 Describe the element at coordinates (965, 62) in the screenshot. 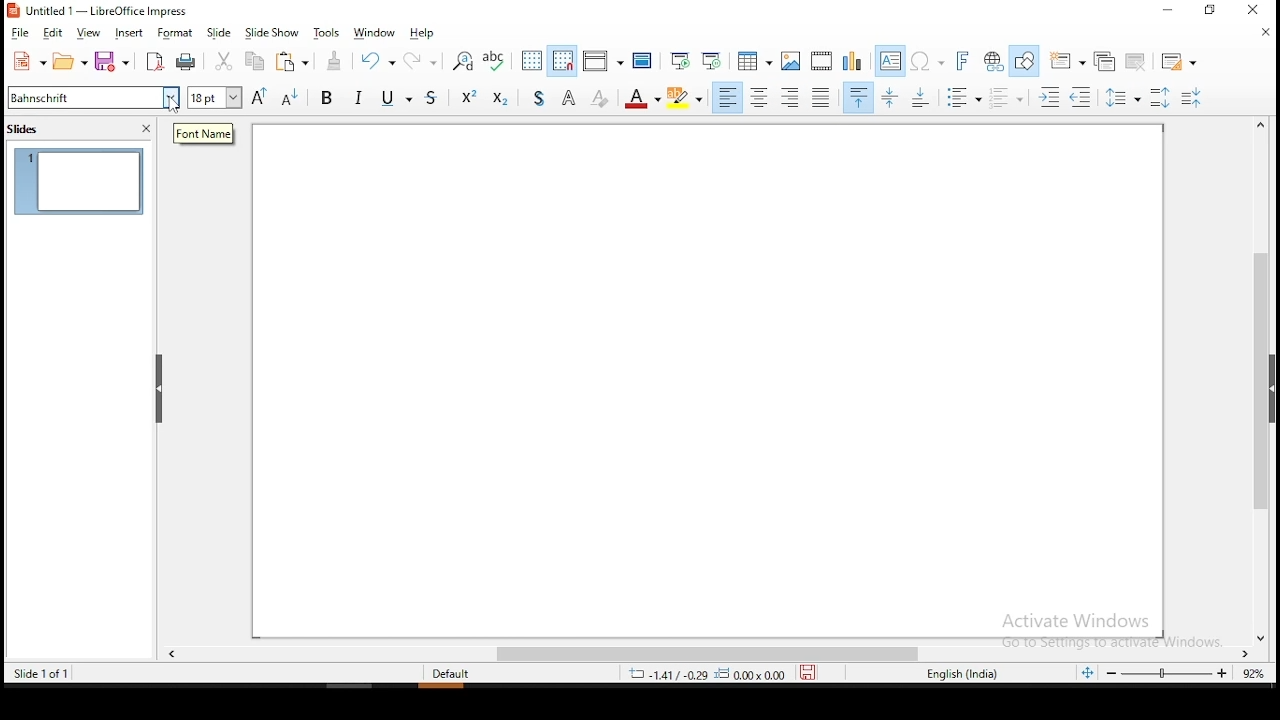

I see `insert font work text` at that location.